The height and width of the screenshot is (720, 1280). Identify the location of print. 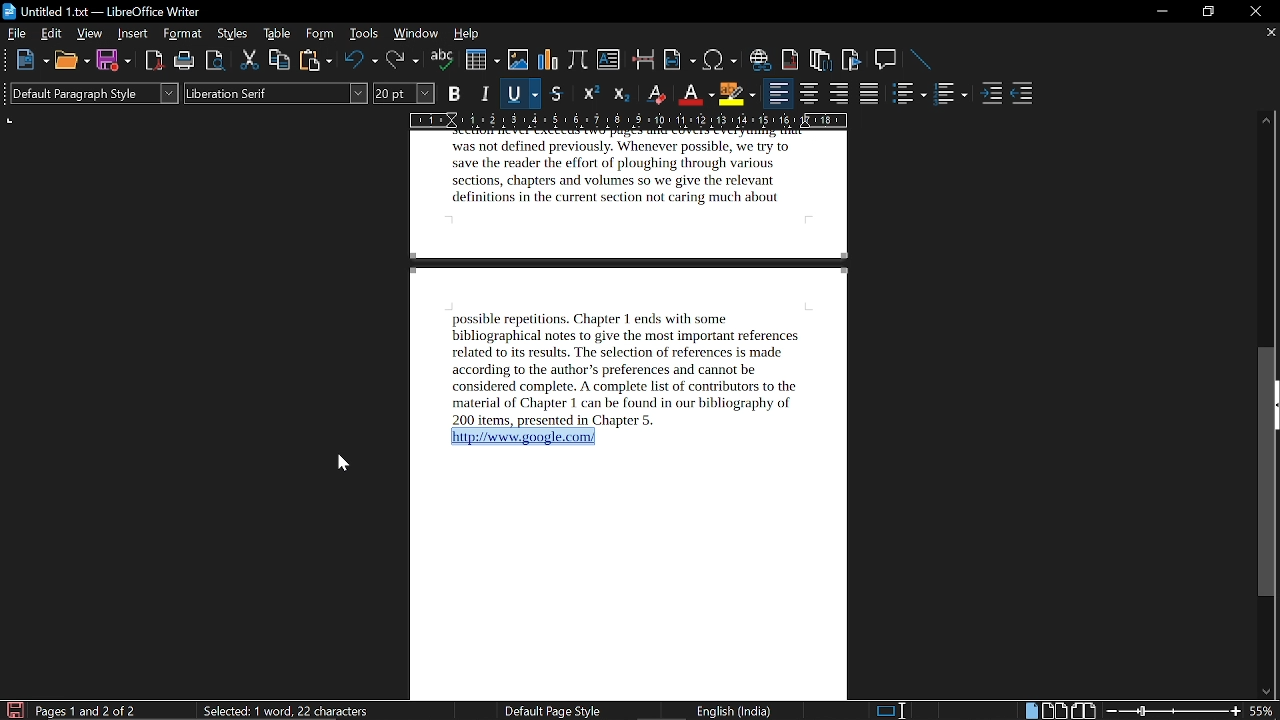
(184, 61).